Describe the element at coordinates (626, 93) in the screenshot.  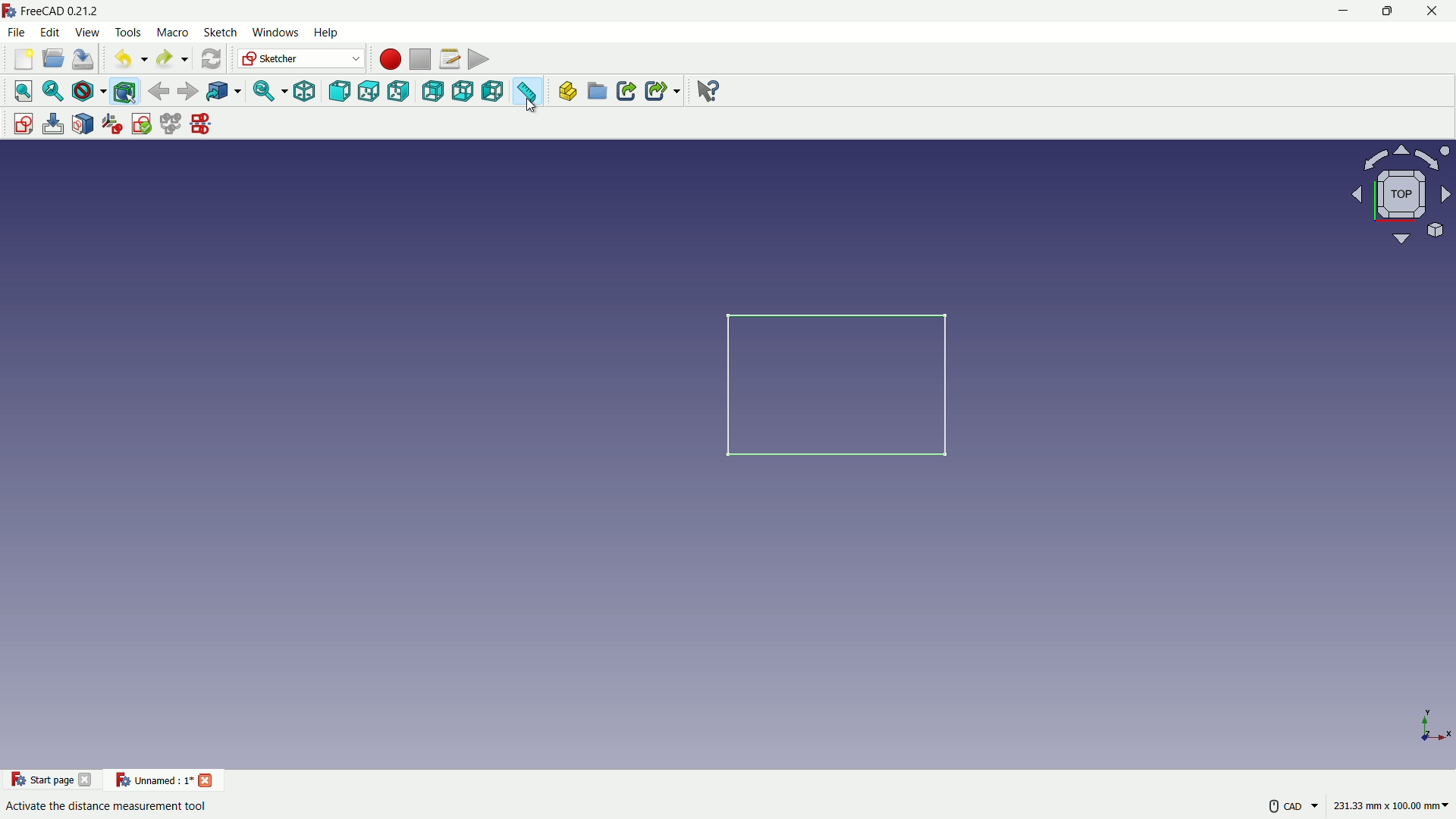
I see `make link` at that location.